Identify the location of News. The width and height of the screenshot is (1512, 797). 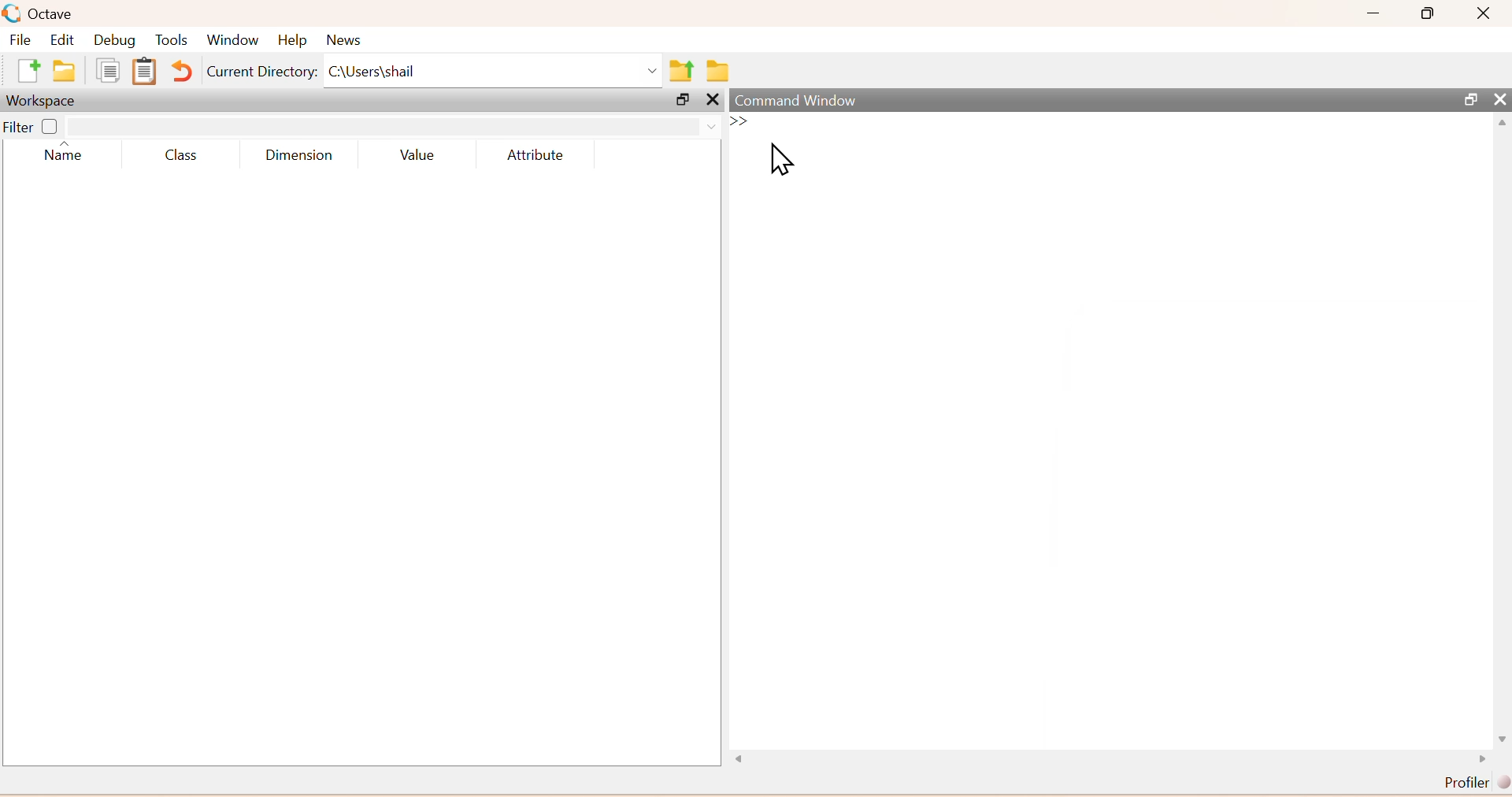
(342, 42).